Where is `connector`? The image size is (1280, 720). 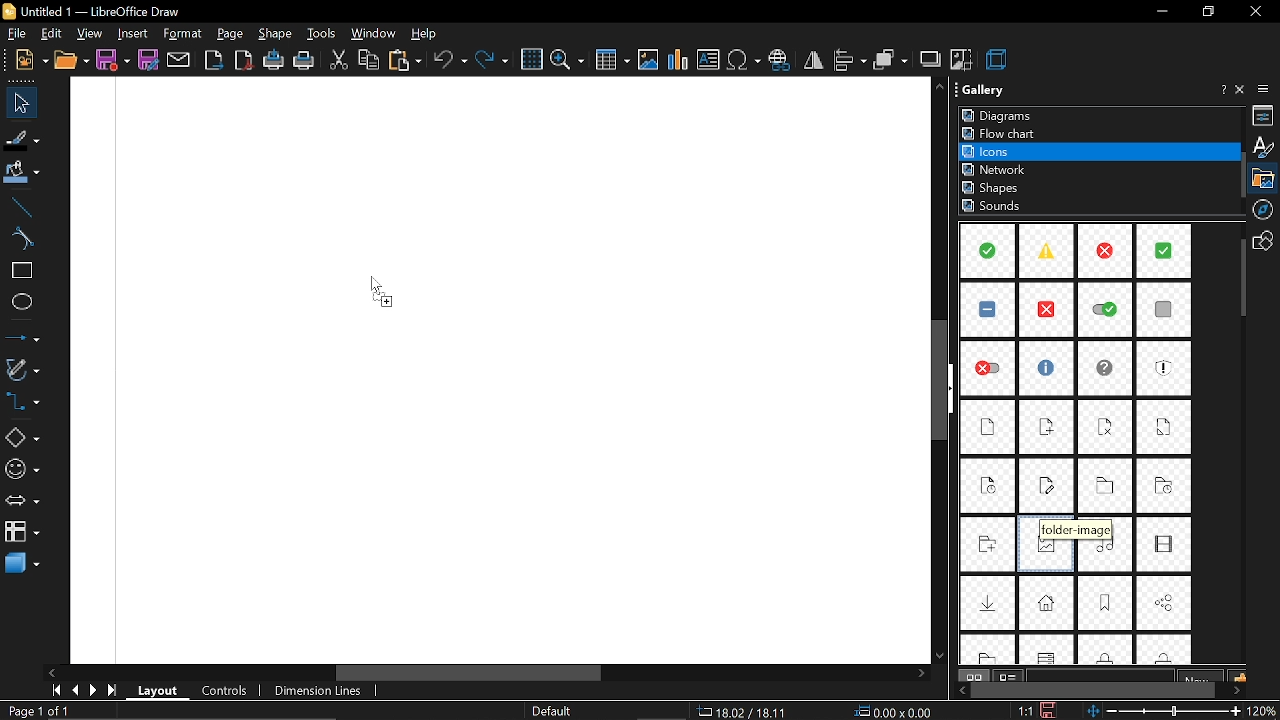
connector is located at coordinates (21, 404).